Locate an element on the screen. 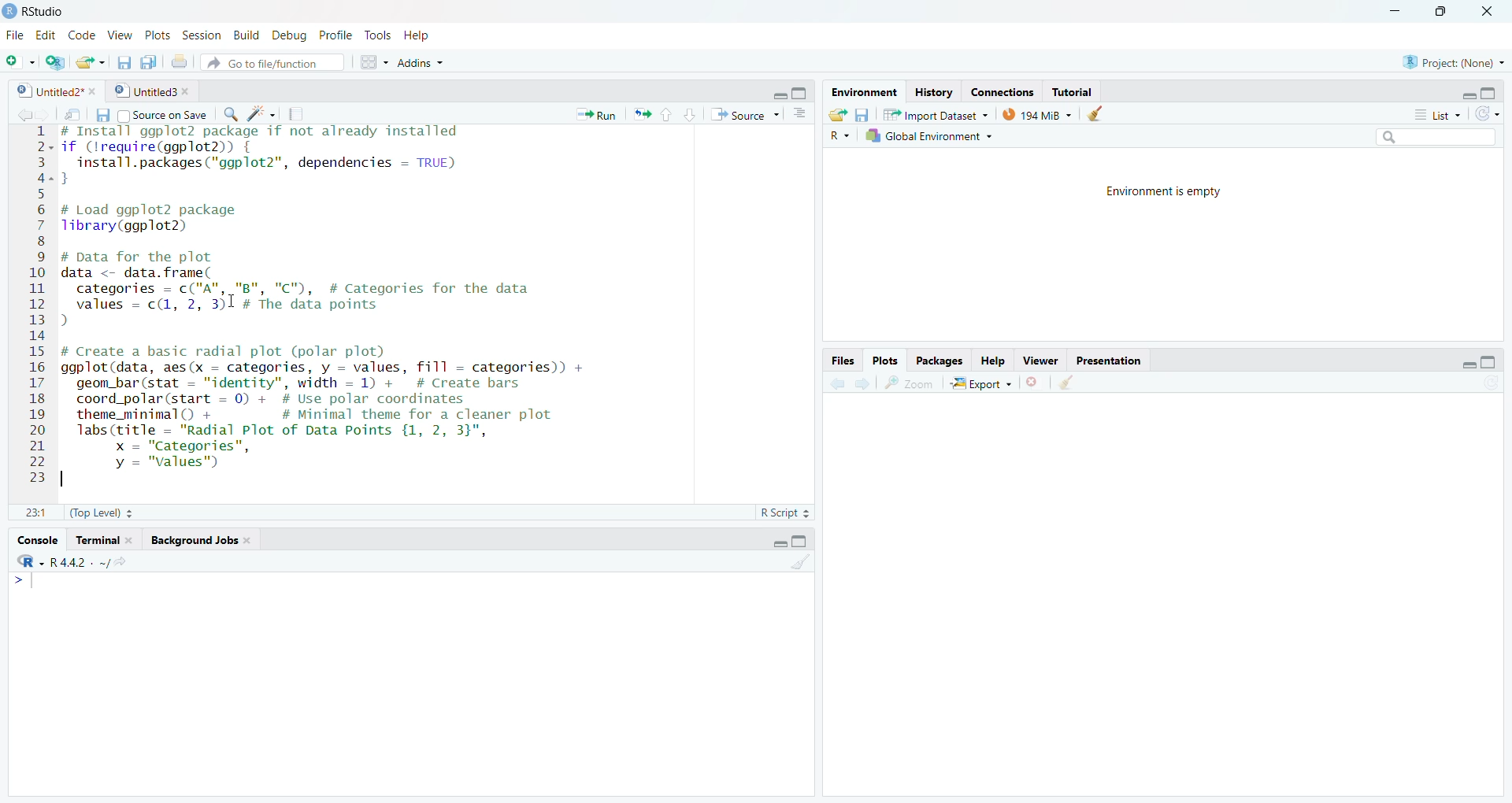 The width and height of the screenshot is (1512, 803). R + 1k Global Environment + is located at coordinates (939, 137).